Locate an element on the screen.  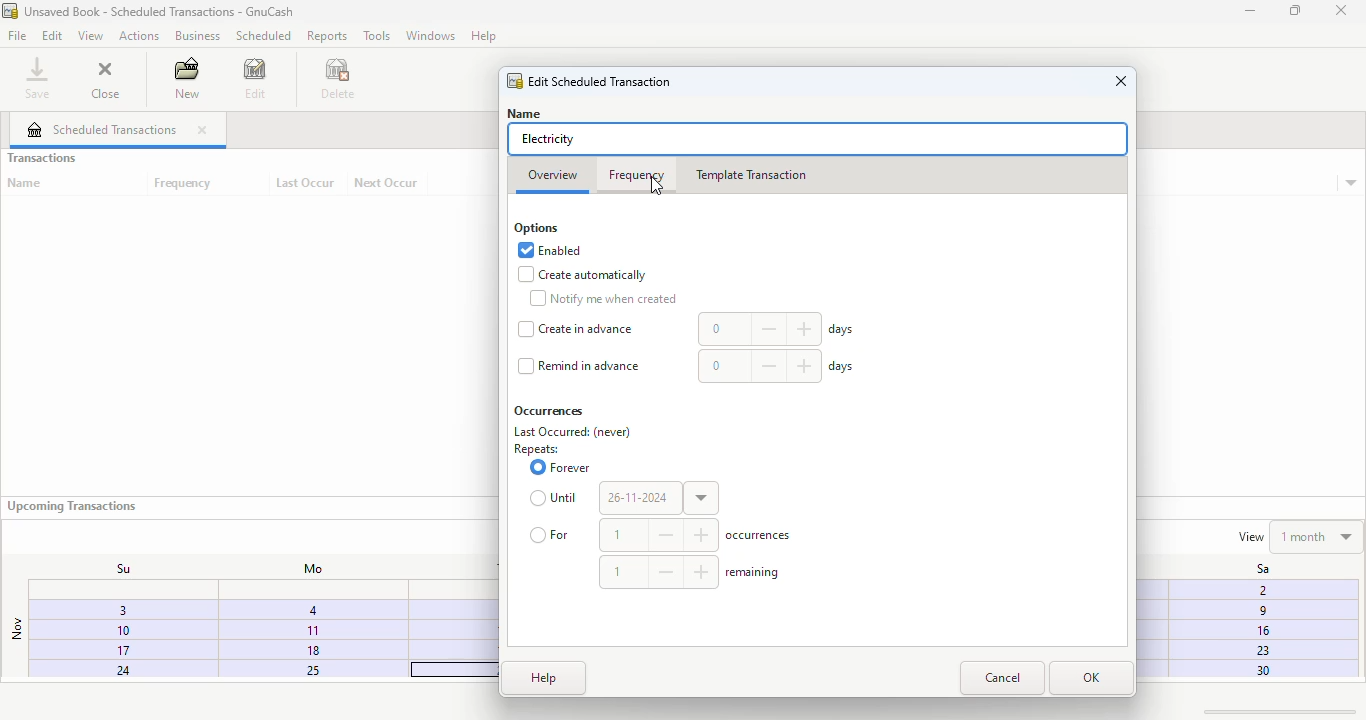
1 remaining is located at coordinates (692, 571).